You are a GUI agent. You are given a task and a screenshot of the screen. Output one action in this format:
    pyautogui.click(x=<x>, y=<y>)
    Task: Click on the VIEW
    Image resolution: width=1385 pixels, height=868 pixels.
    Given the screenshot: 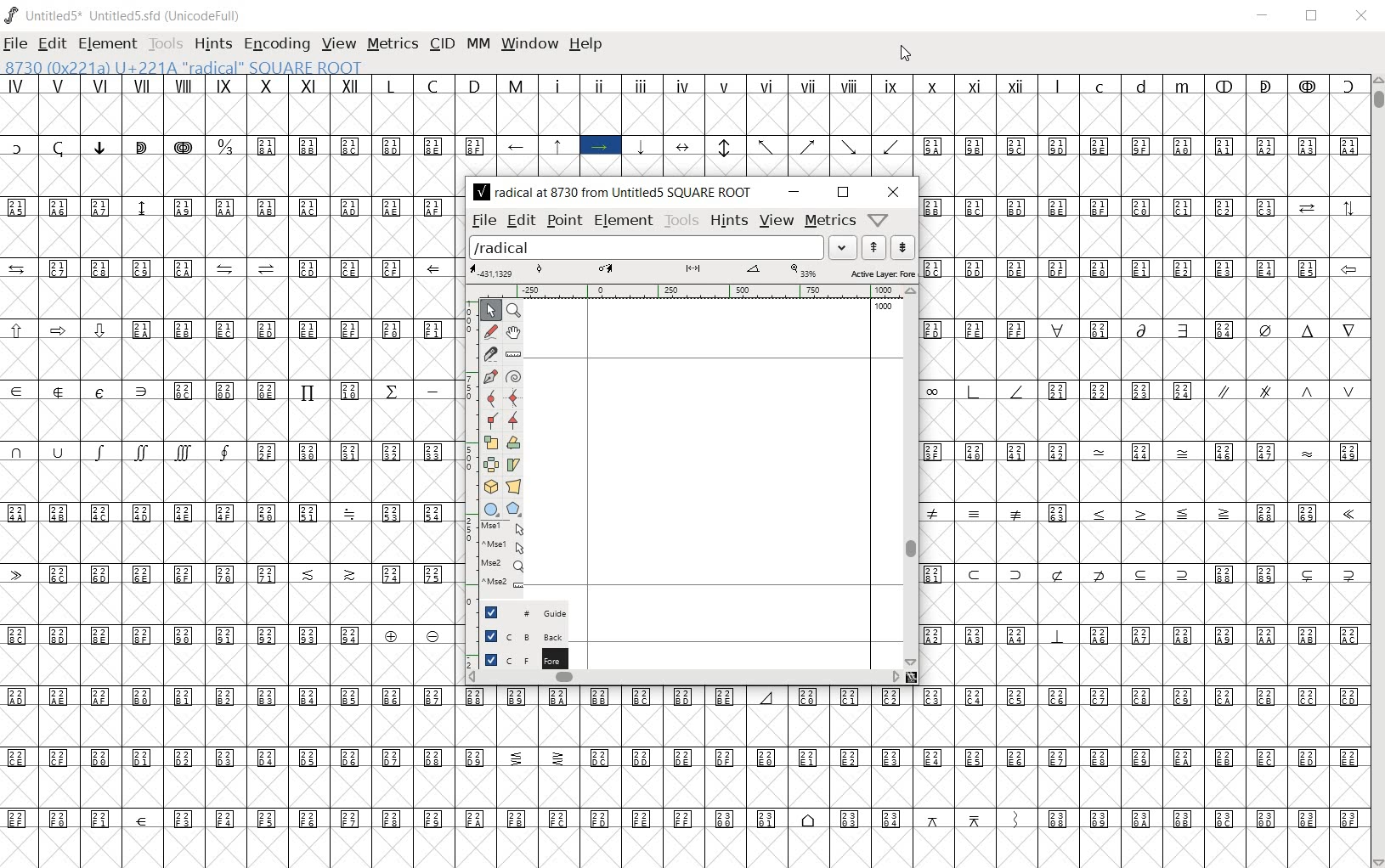 What is the action you would take?
    pyautogui.click(x=337, y=44)
    